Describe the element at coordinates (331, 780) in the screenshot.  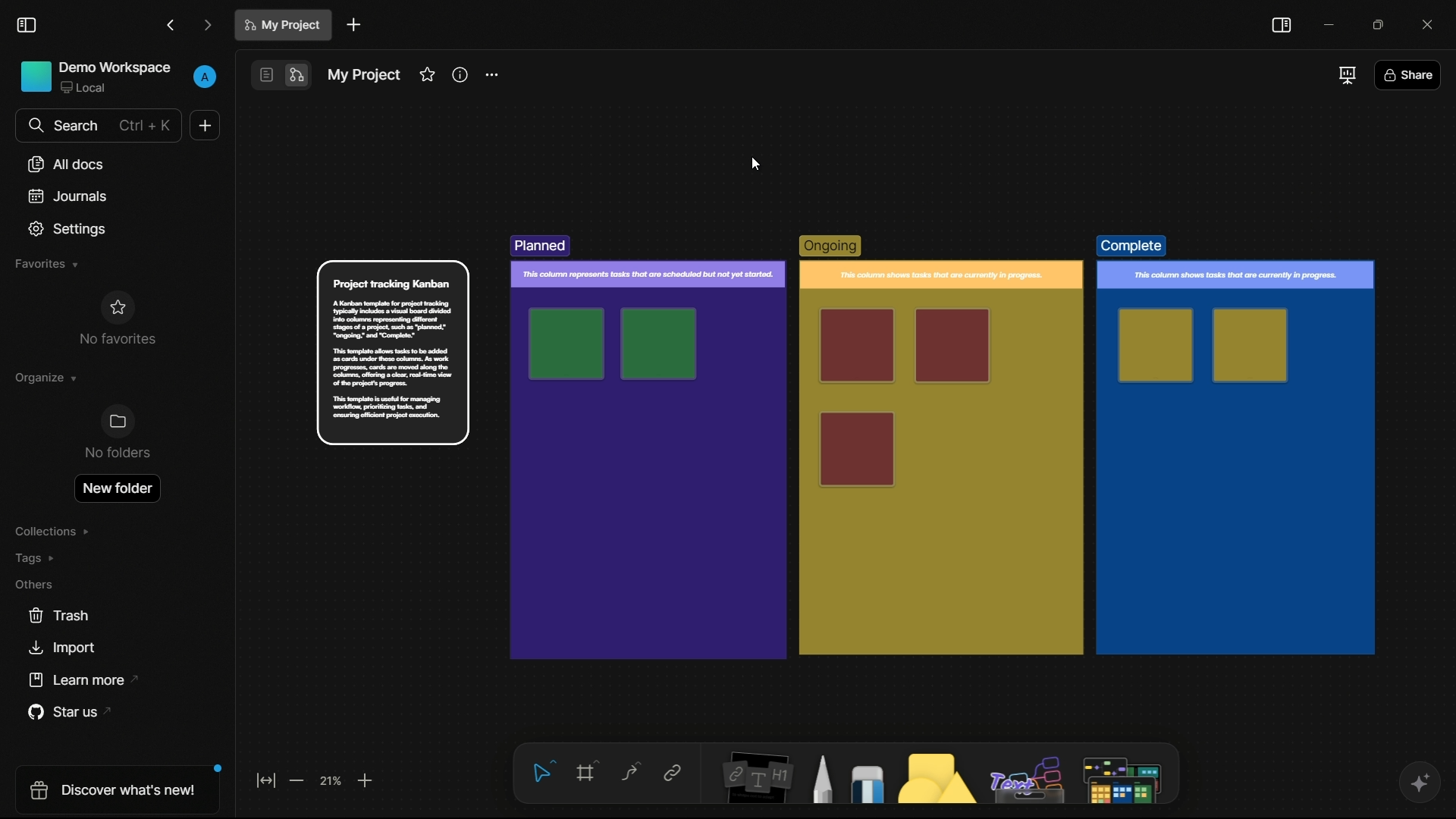
I see `zoom factor` at that location.